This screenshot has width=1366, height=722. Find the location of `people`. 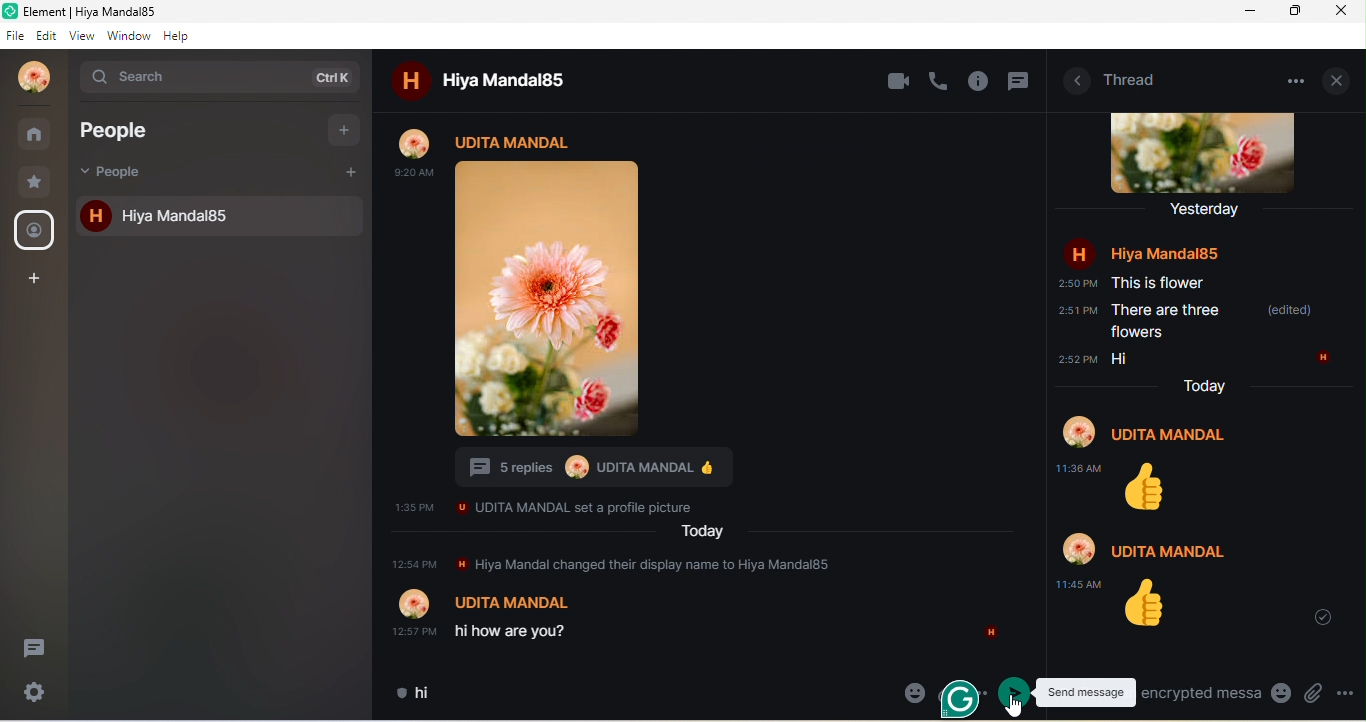

people is located at coordinates (36, 231).